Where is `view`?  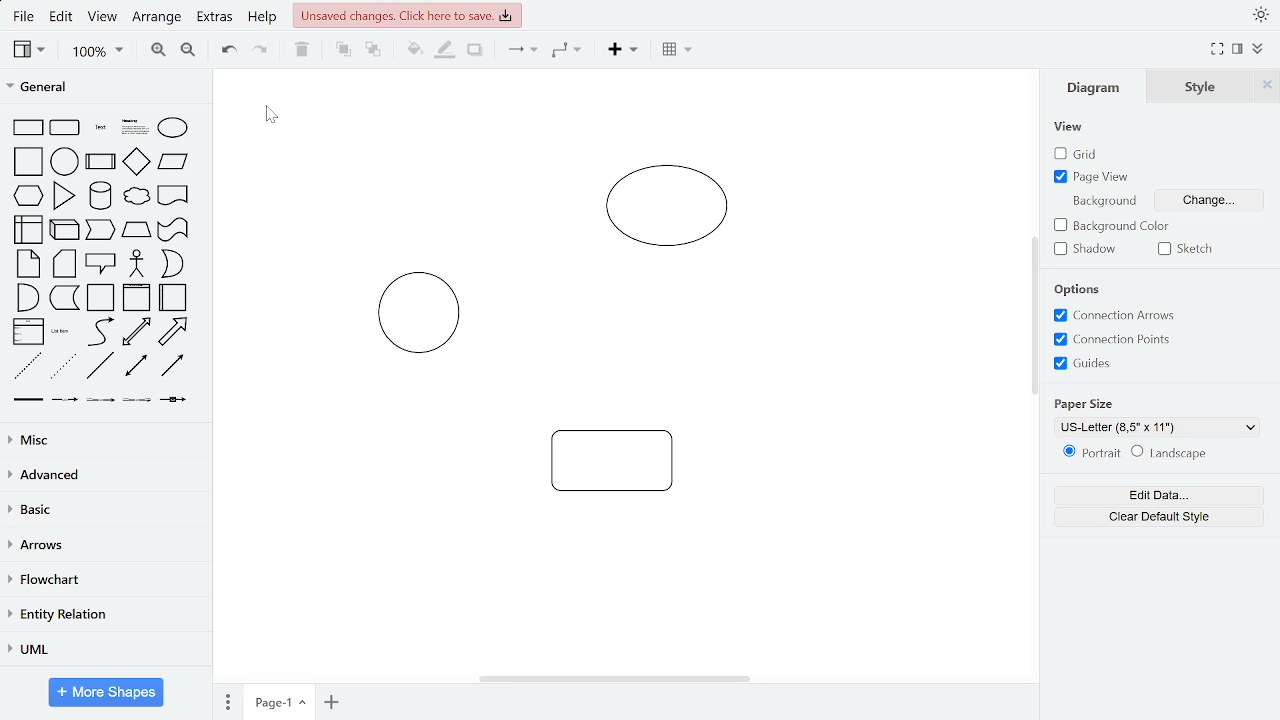 view is located at coordinates (30, 50).